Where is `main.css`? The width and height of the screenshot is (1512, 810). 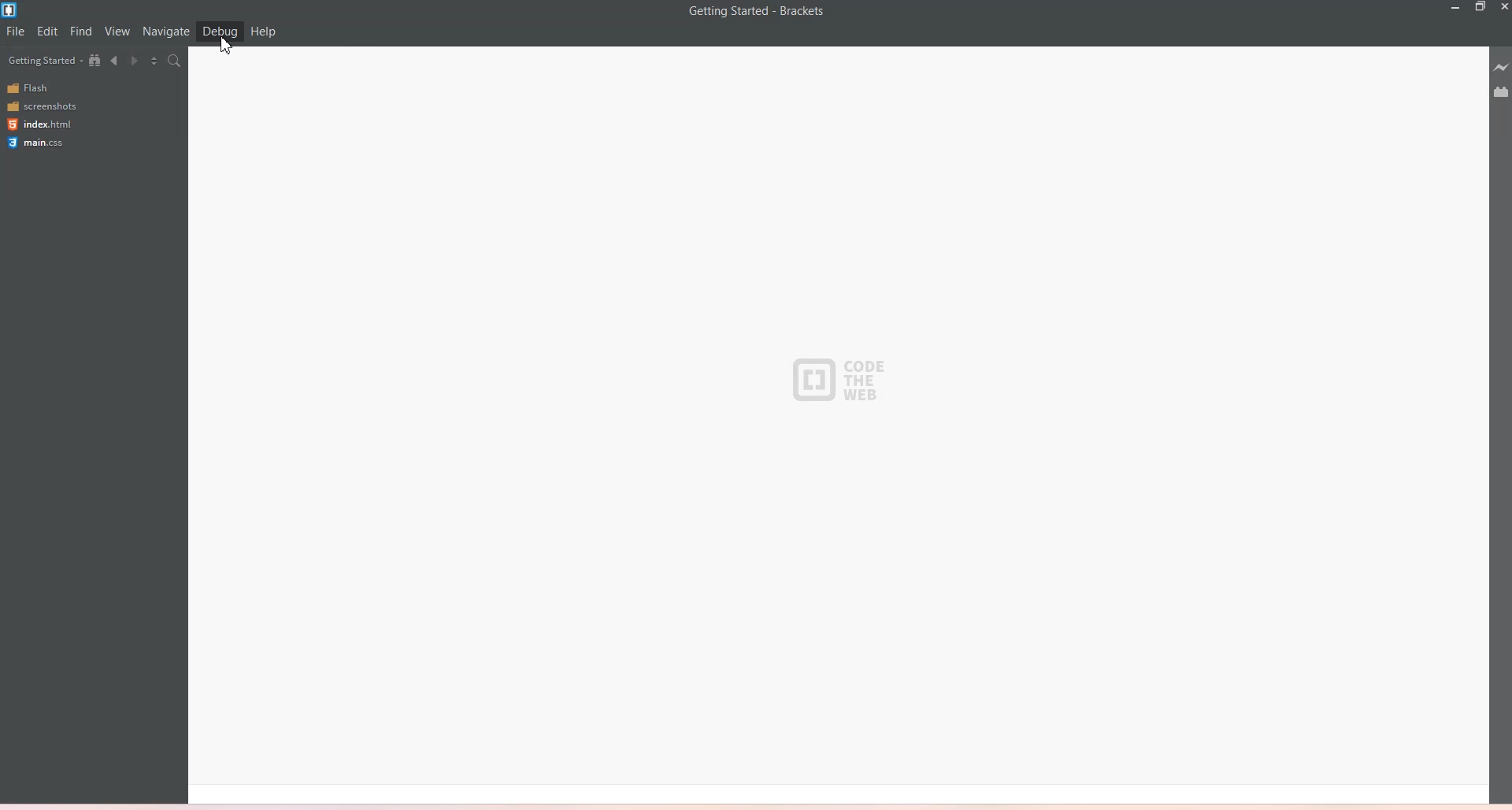 main.css is located at coordinates (40, 143).